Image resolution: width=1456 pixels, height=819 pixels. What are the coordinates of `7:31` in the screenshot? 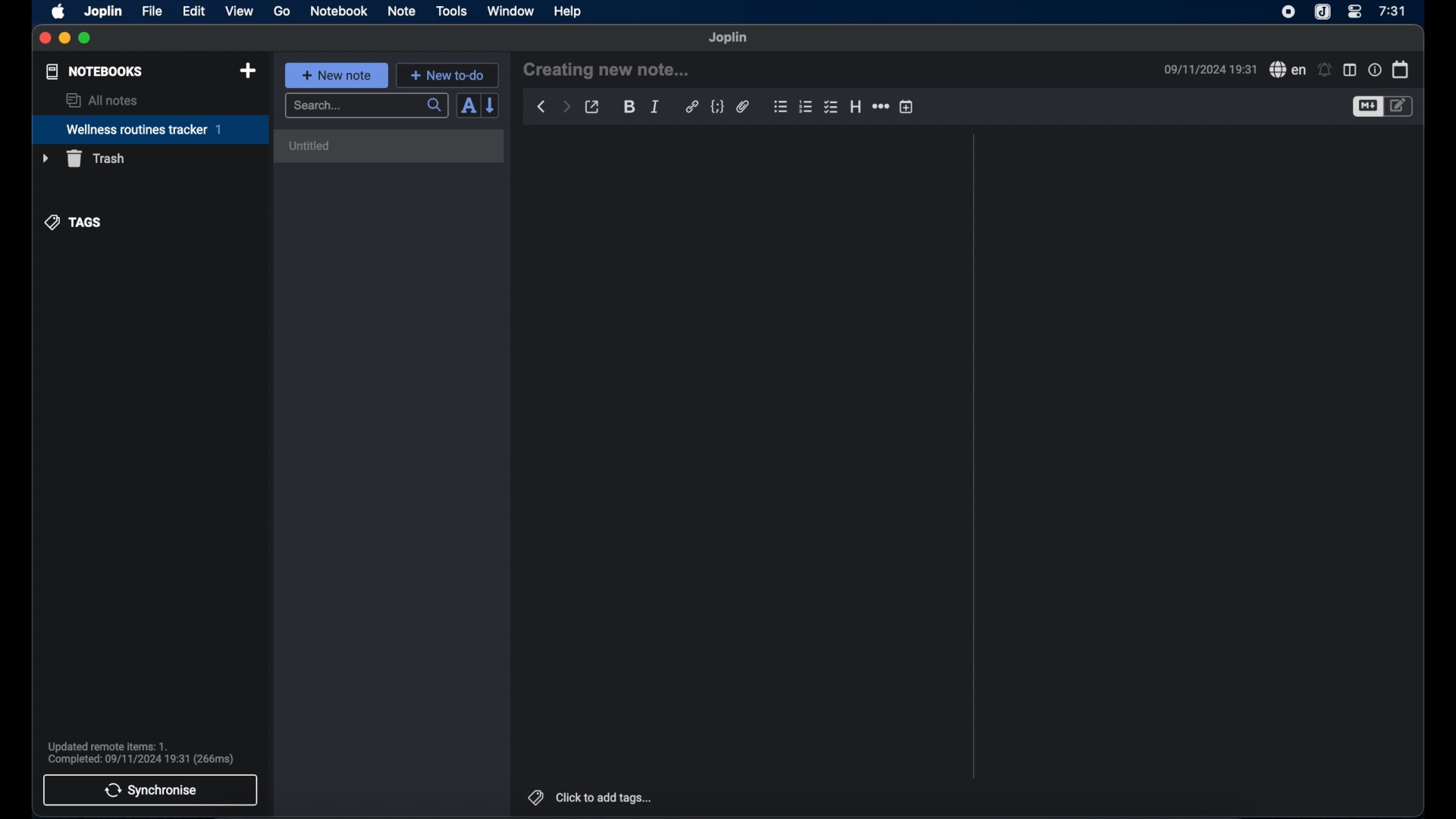 It's located at (1392, 11).